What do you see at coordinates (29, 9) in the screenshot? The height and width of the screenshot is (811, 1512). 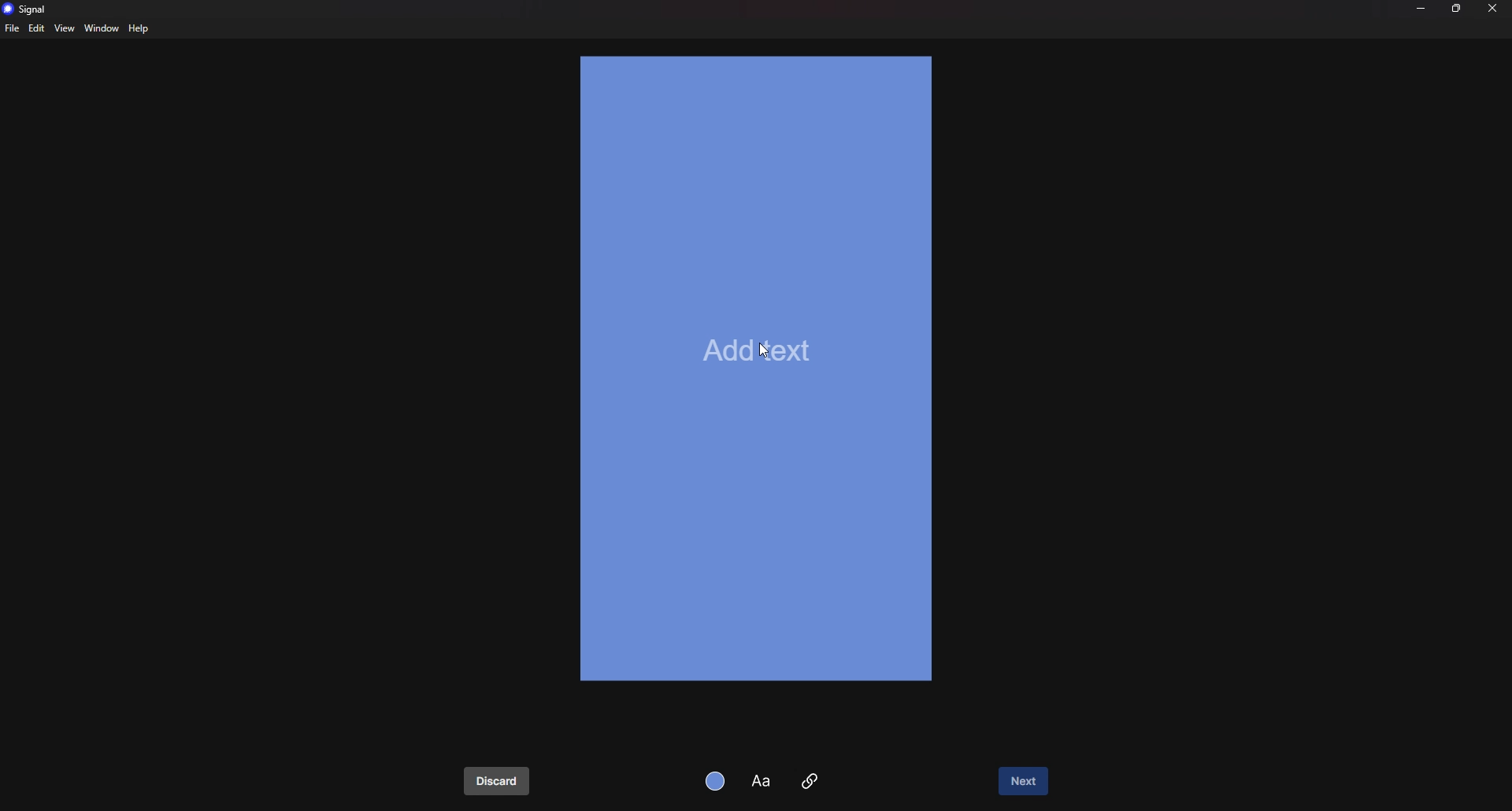 I see `signal` at bounding box center [29, 9].